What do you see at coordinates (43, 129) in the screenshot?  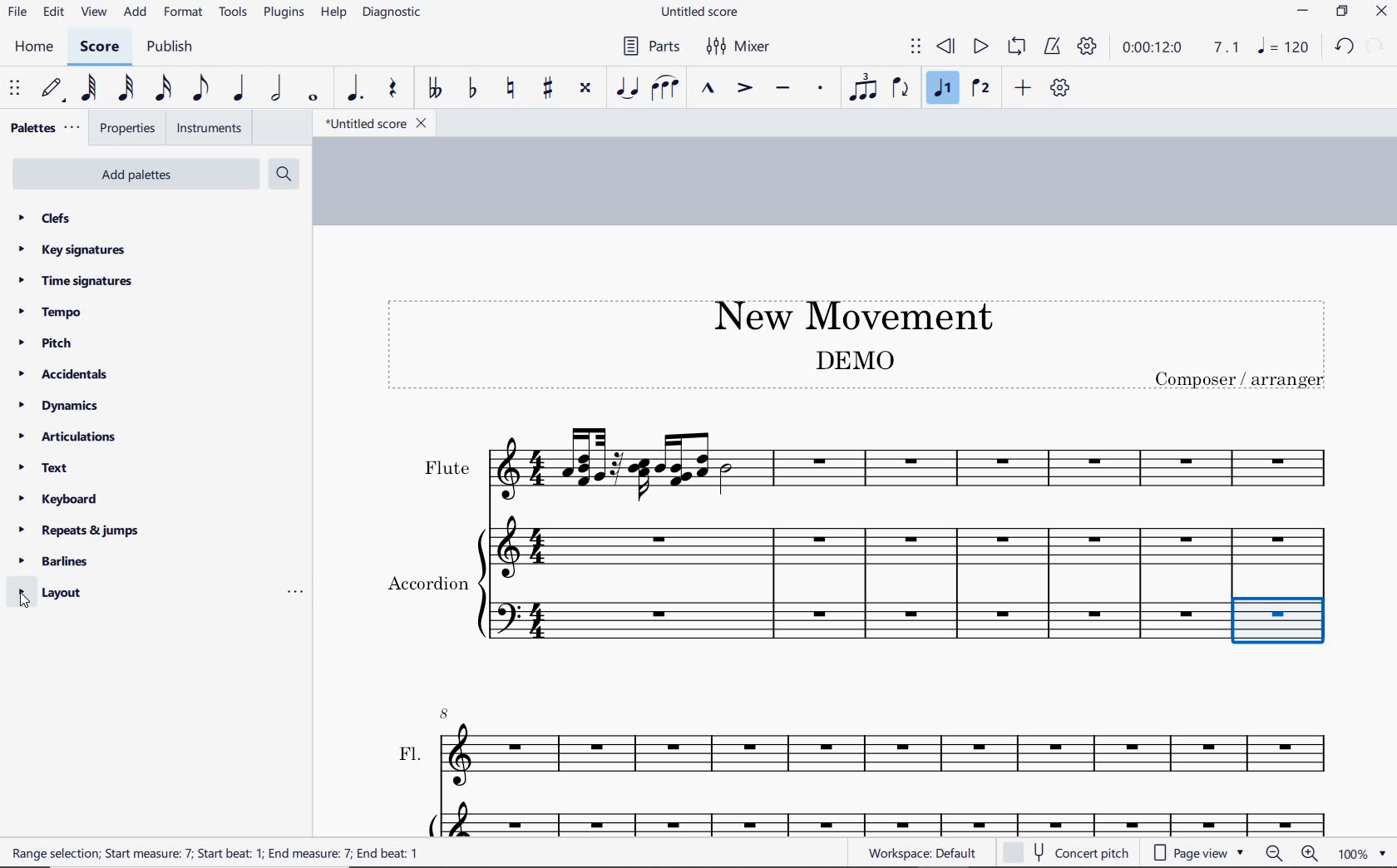 I see `palettes` at bounding box center [43, 129].